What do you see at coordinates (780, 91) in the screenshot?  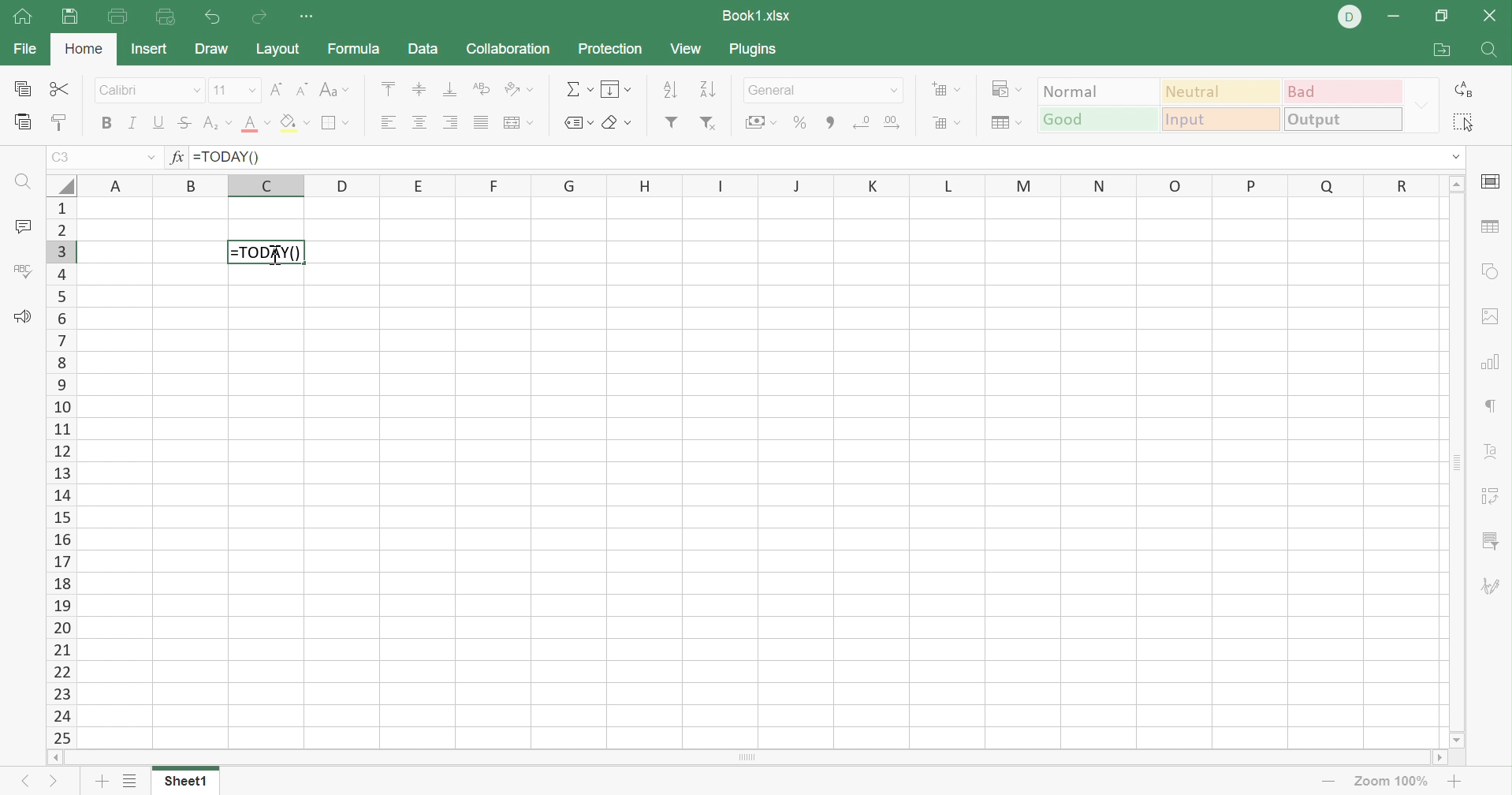 I see `General` at bounding box center [780, 91].